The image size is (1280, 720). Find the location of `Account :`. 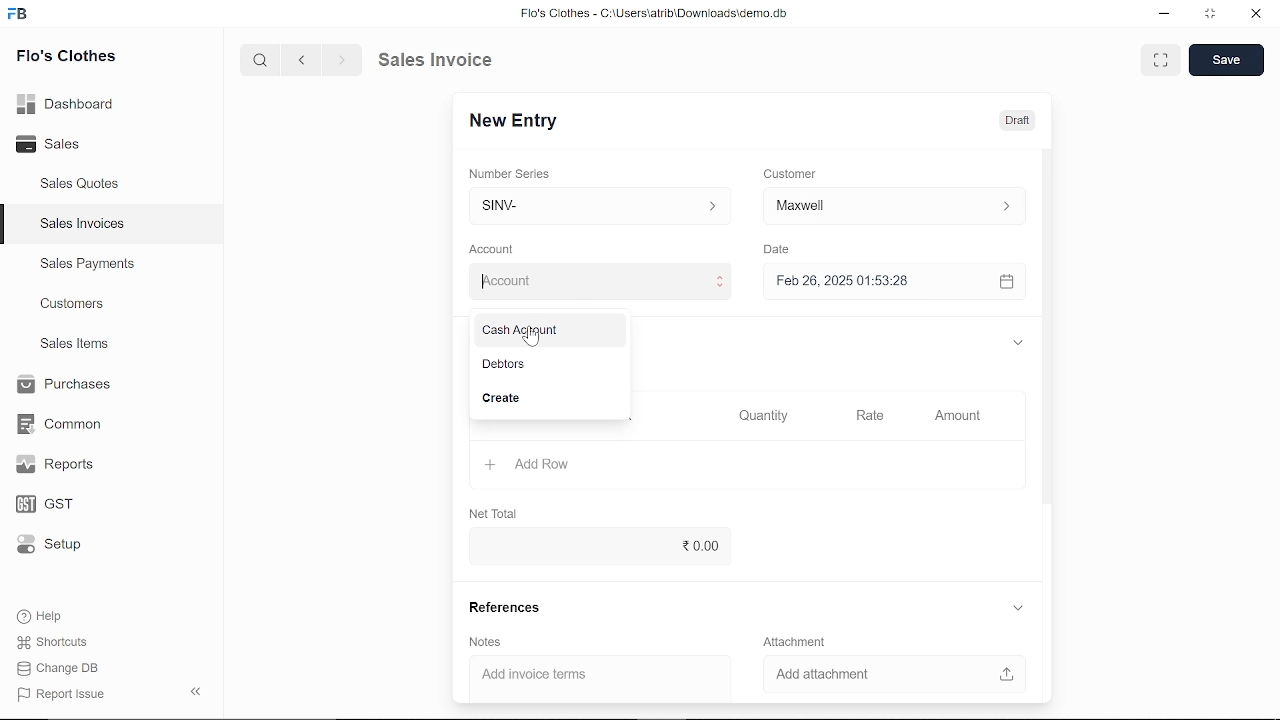

Account : is located at coordinates (597, 279).